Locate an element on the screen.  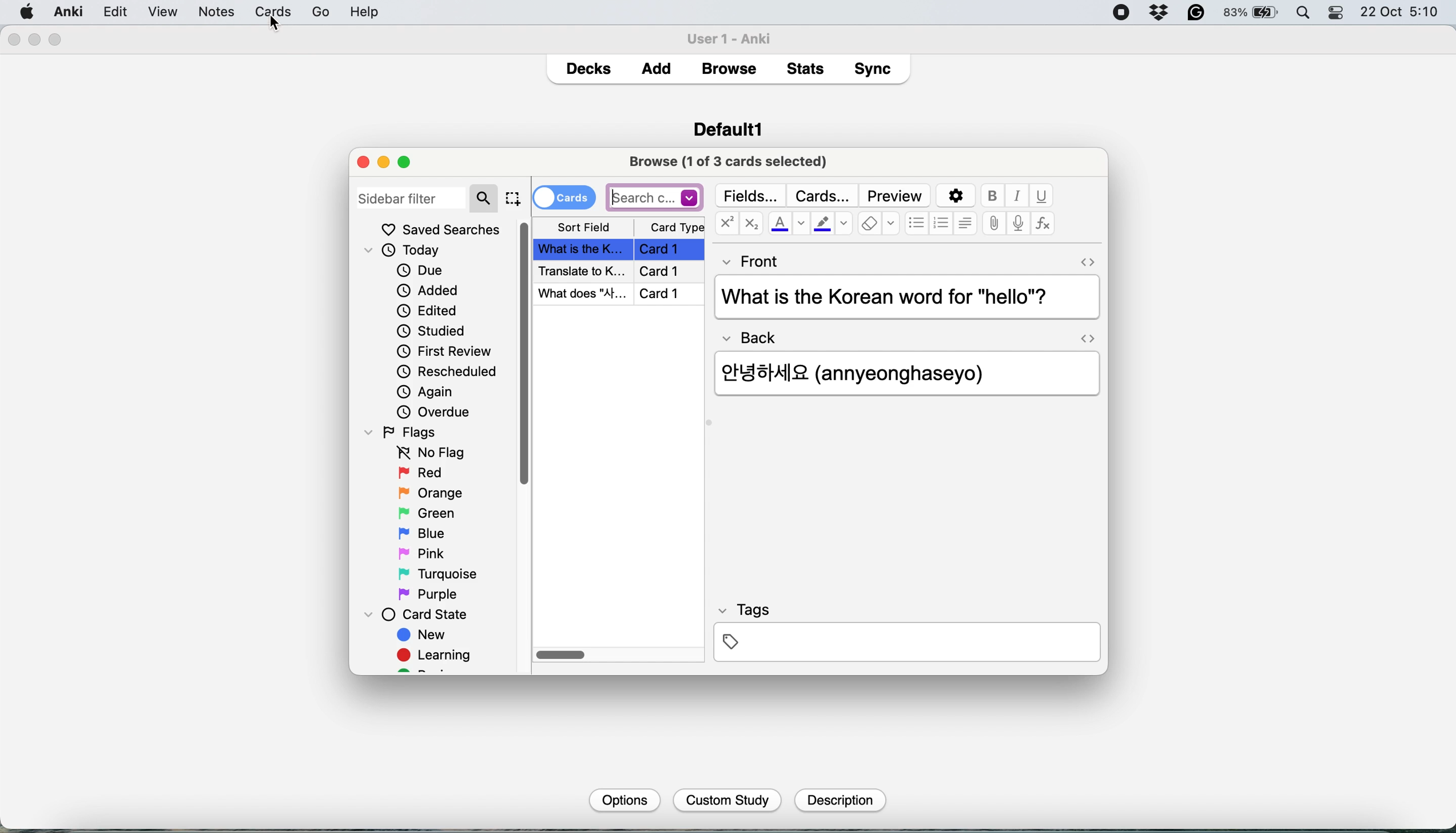
What is the Korean word for "hello"? is located at coordinates (904, 298).